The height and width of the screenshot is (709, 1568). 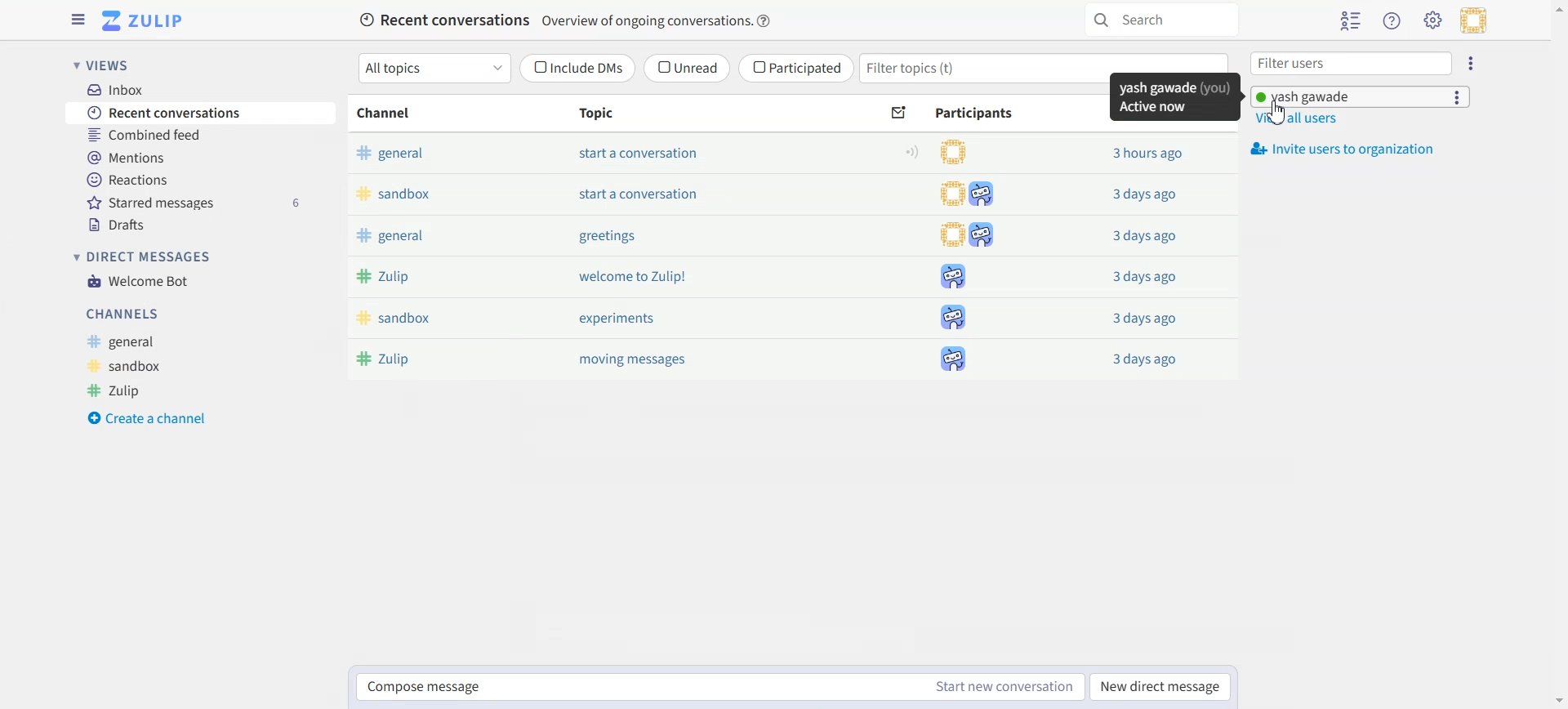 I want to click on Include DMs, so click(x=578, y=66).